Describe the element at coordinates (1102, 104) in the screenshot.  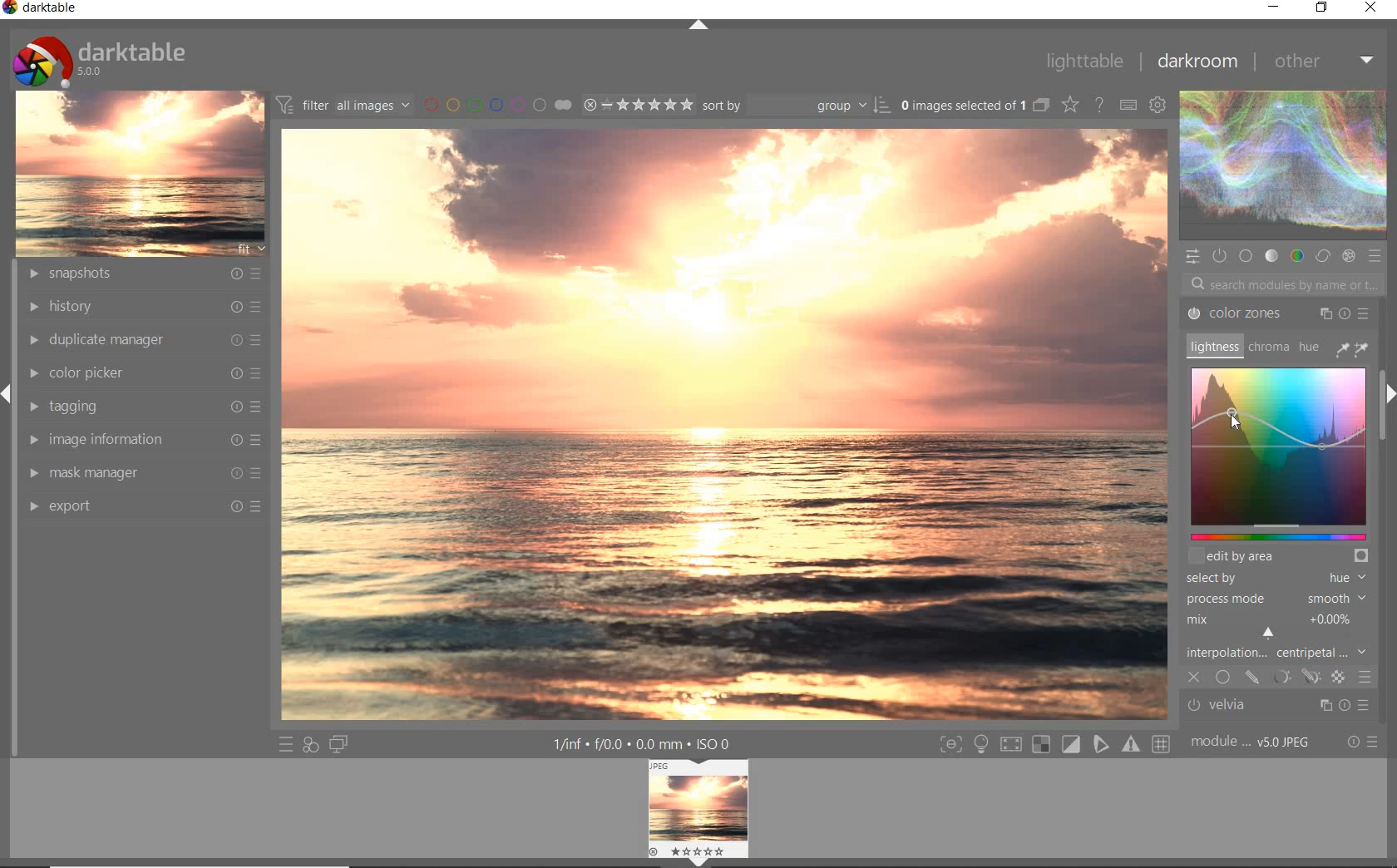
I see `ENABLE FOR ONLINE HELP` at that location.